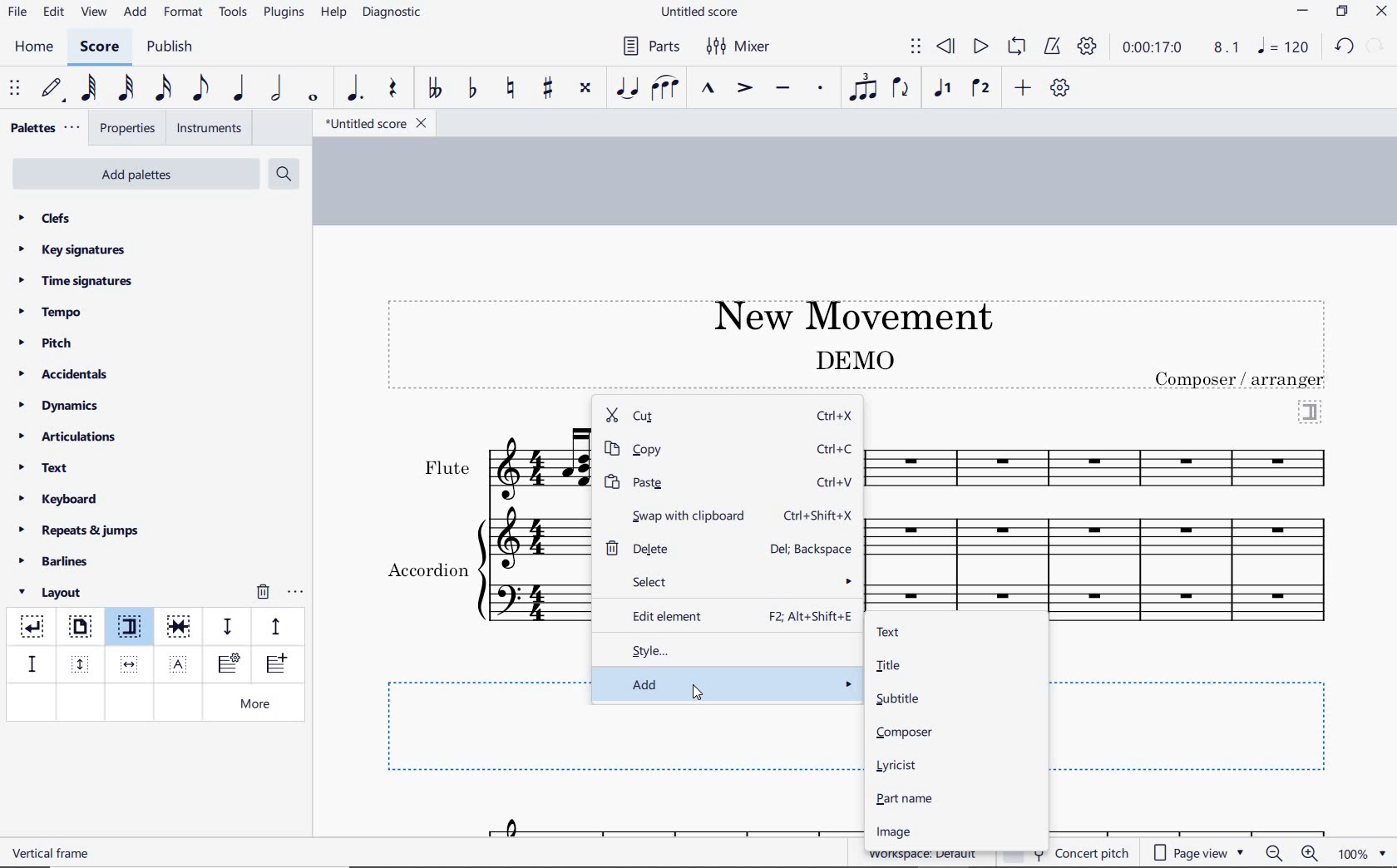  Describe the element at coordinates (820, 515) in the screenshot. I see `Shortcut key` at that location.